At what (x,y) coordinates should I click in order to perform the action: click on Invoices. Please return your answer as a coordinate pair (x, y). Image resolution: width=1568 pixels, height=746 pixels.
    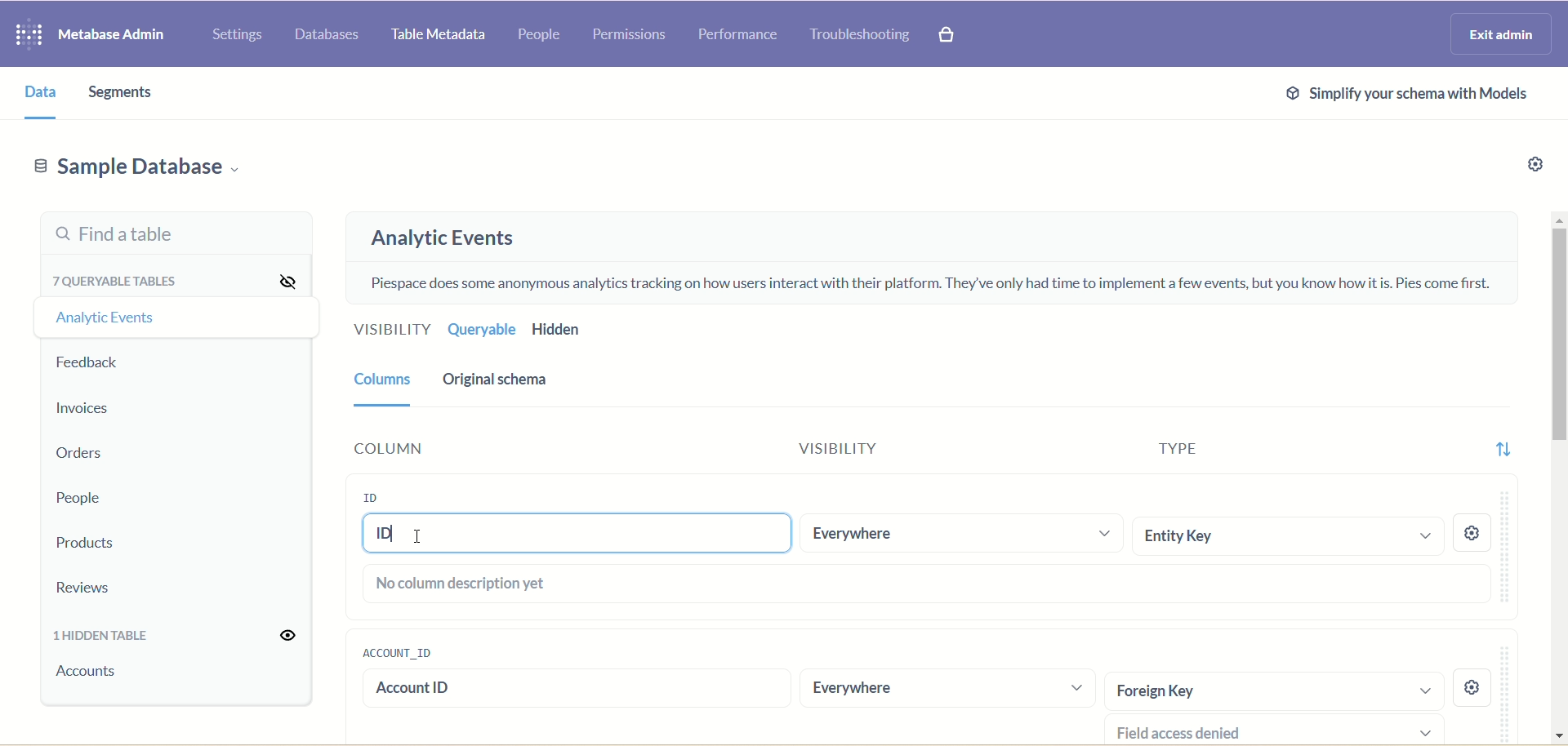
    Looking at the image, I should click on (87, 406).